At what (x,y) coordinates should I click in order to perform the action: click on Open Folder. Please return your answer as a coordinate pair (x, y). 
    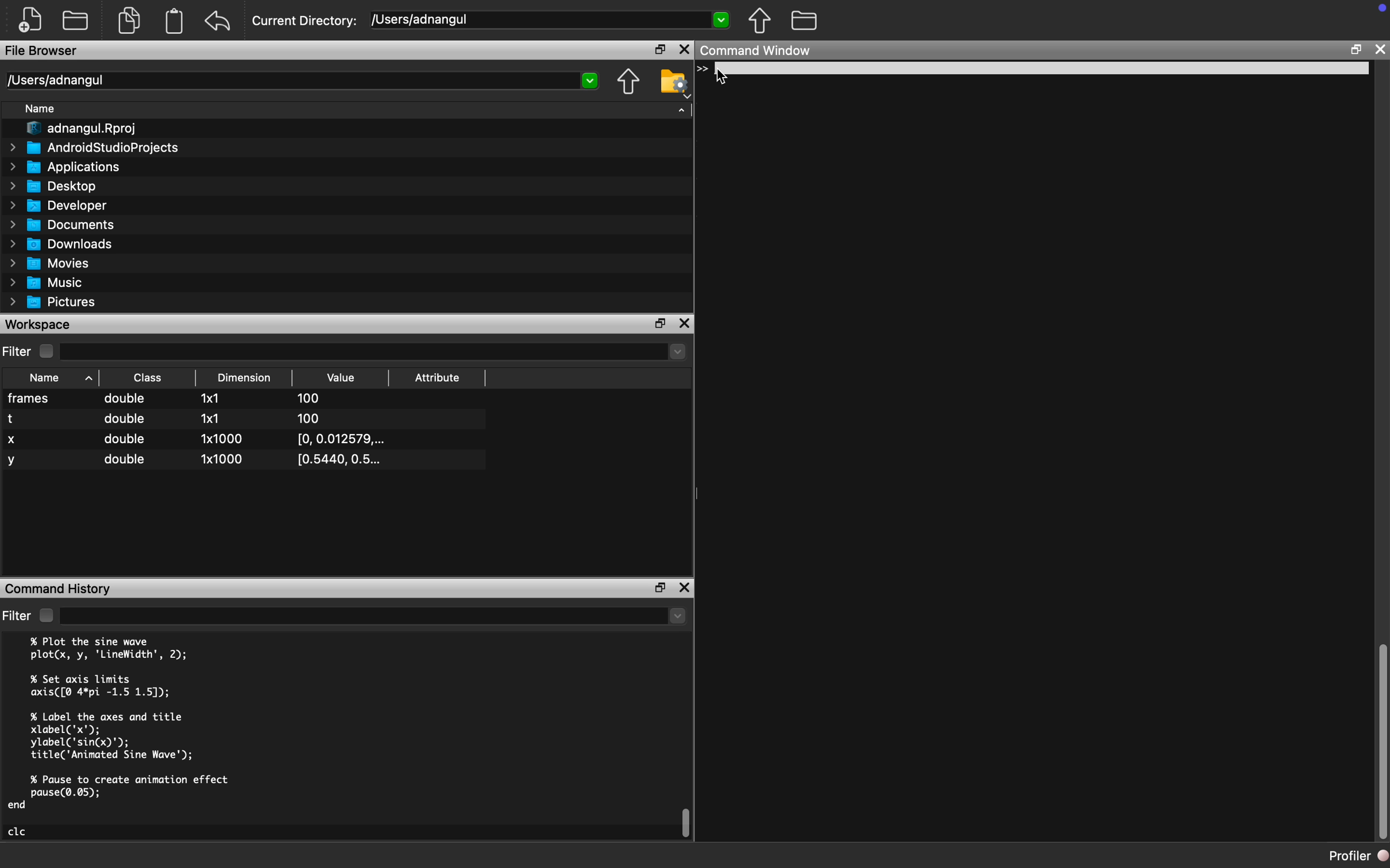
    Looking at the image, I should click on (75, 21).